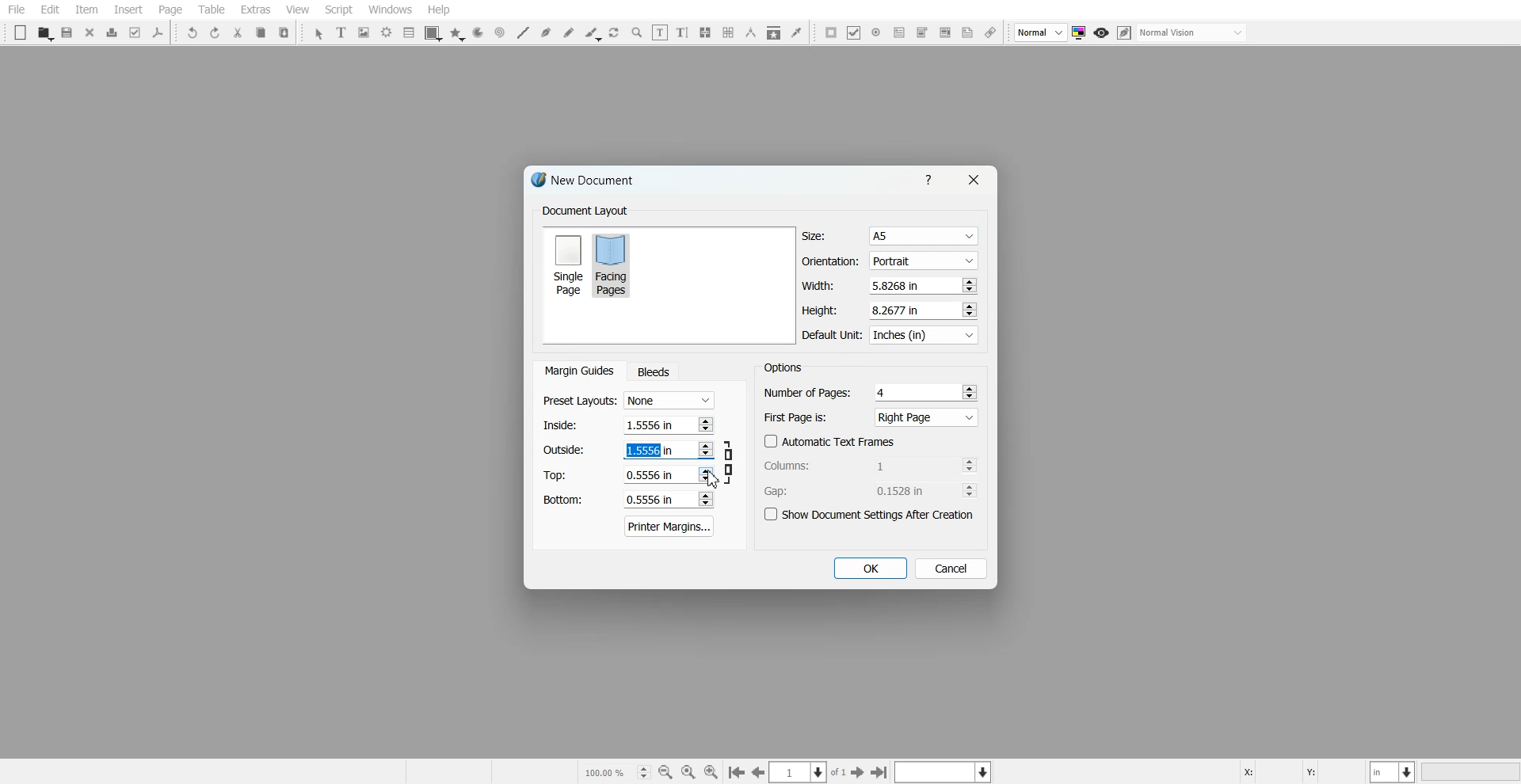 The height and width of the screenshot is (784, 1521). I want to click on File, so click(17, 10).